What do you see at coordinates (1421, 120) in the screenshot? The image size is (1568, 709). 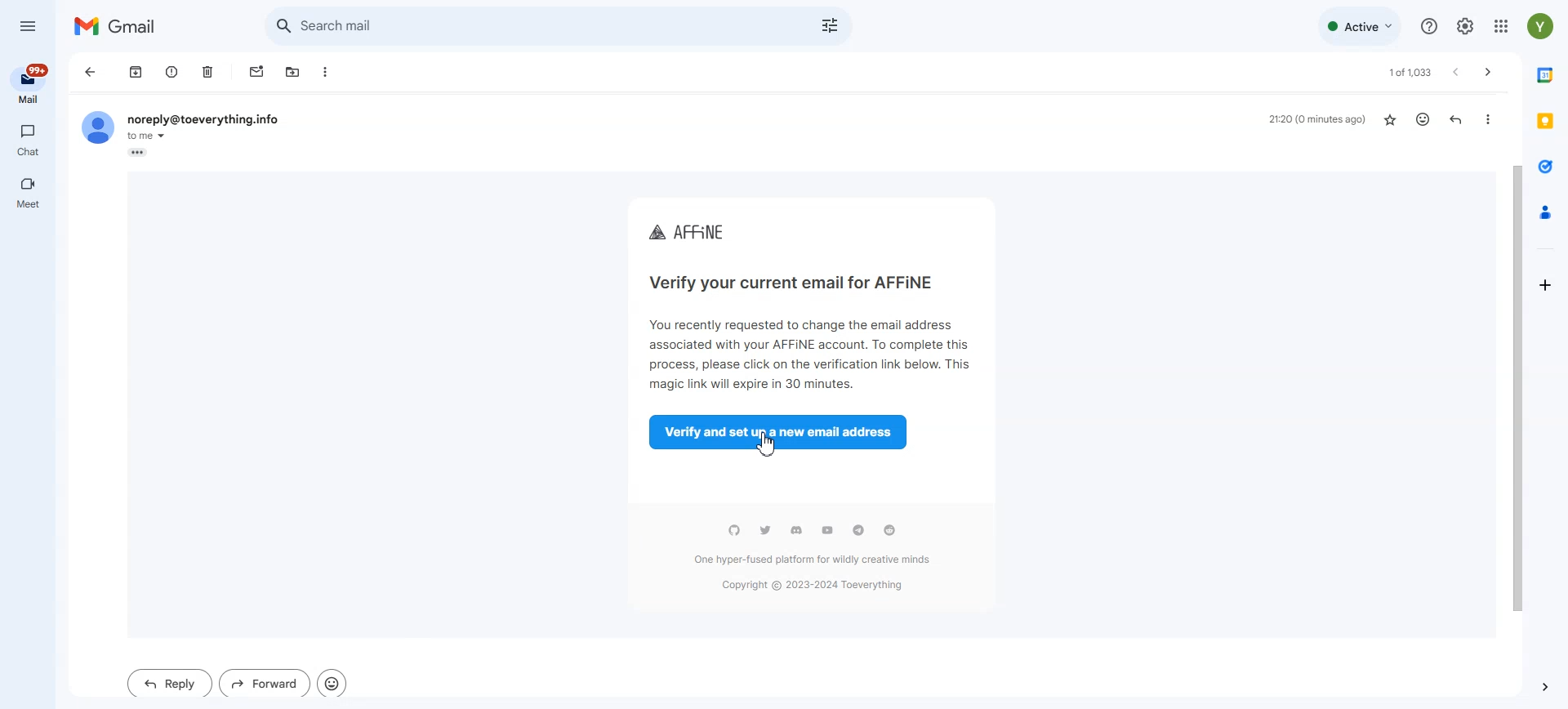 I see `Add reaction` at bounding box center [1421, 120].